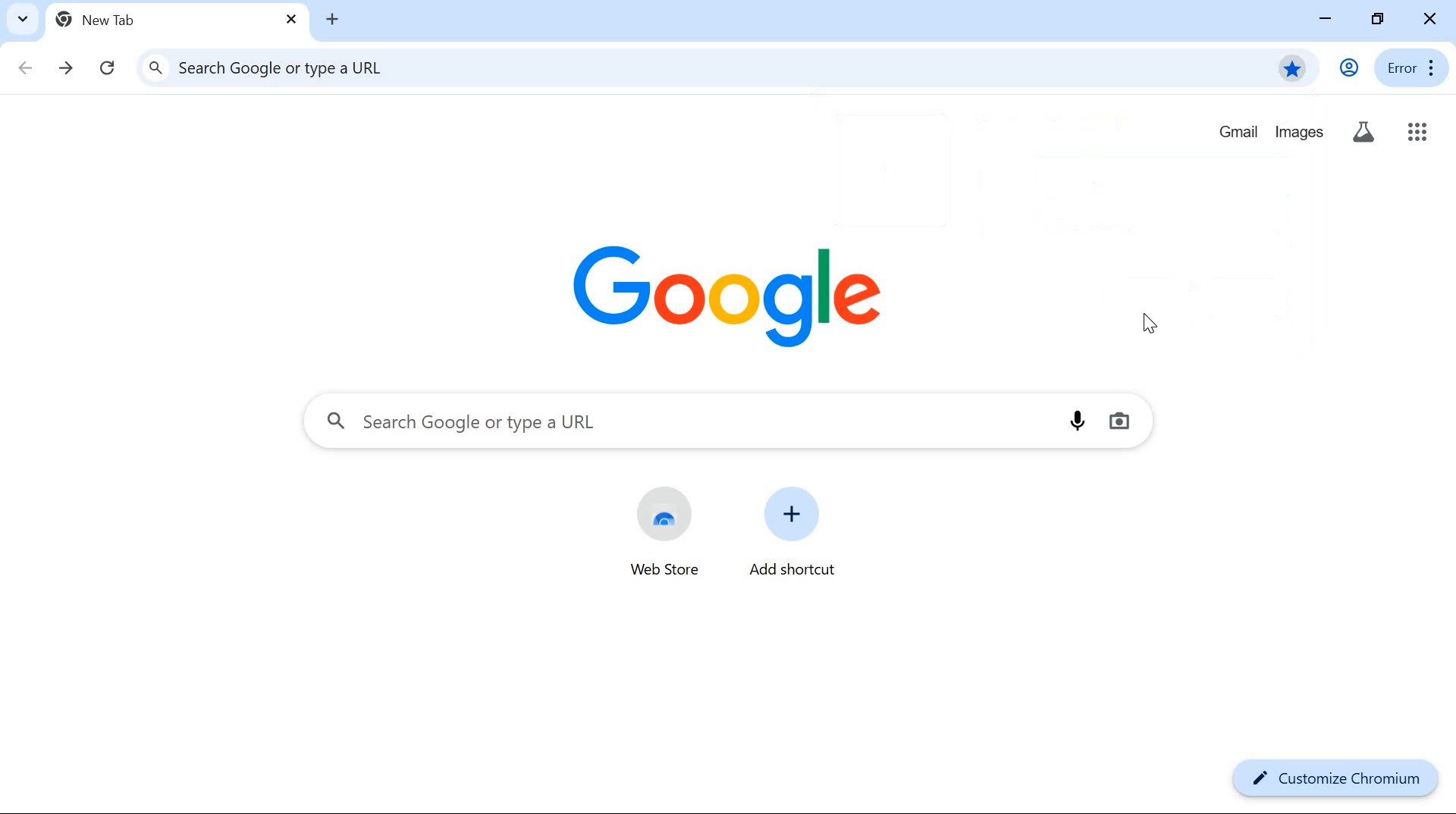 This screenshot has width=1456, height=814. What do you see at coordinates (111, 68) in the screenshot?
I see `refresh` at bounding box center [111, 68].